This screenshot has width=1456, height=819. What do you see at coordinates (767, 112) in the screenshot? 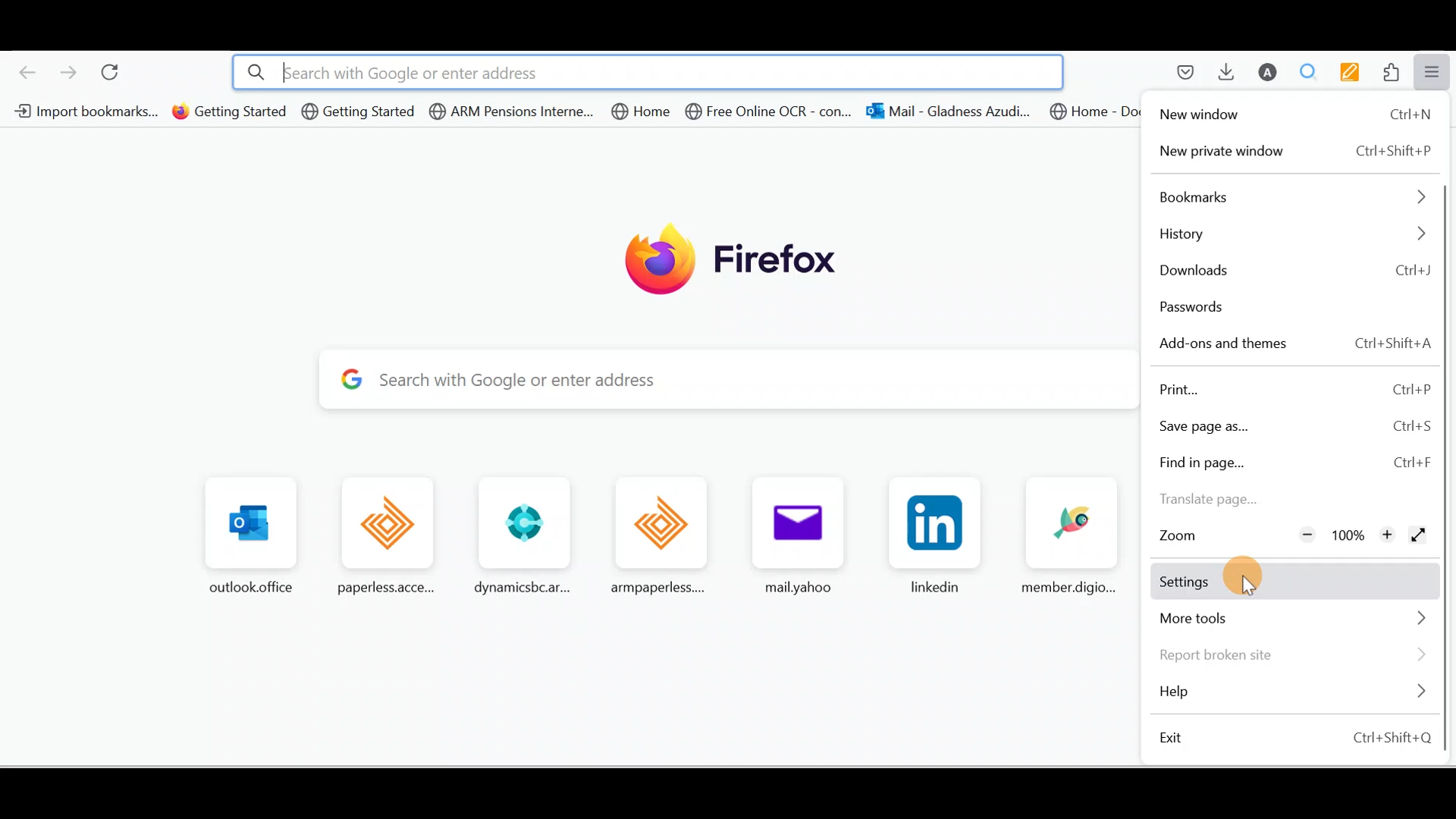
I see `Bookmark 6` at bounding box center [767, 112].